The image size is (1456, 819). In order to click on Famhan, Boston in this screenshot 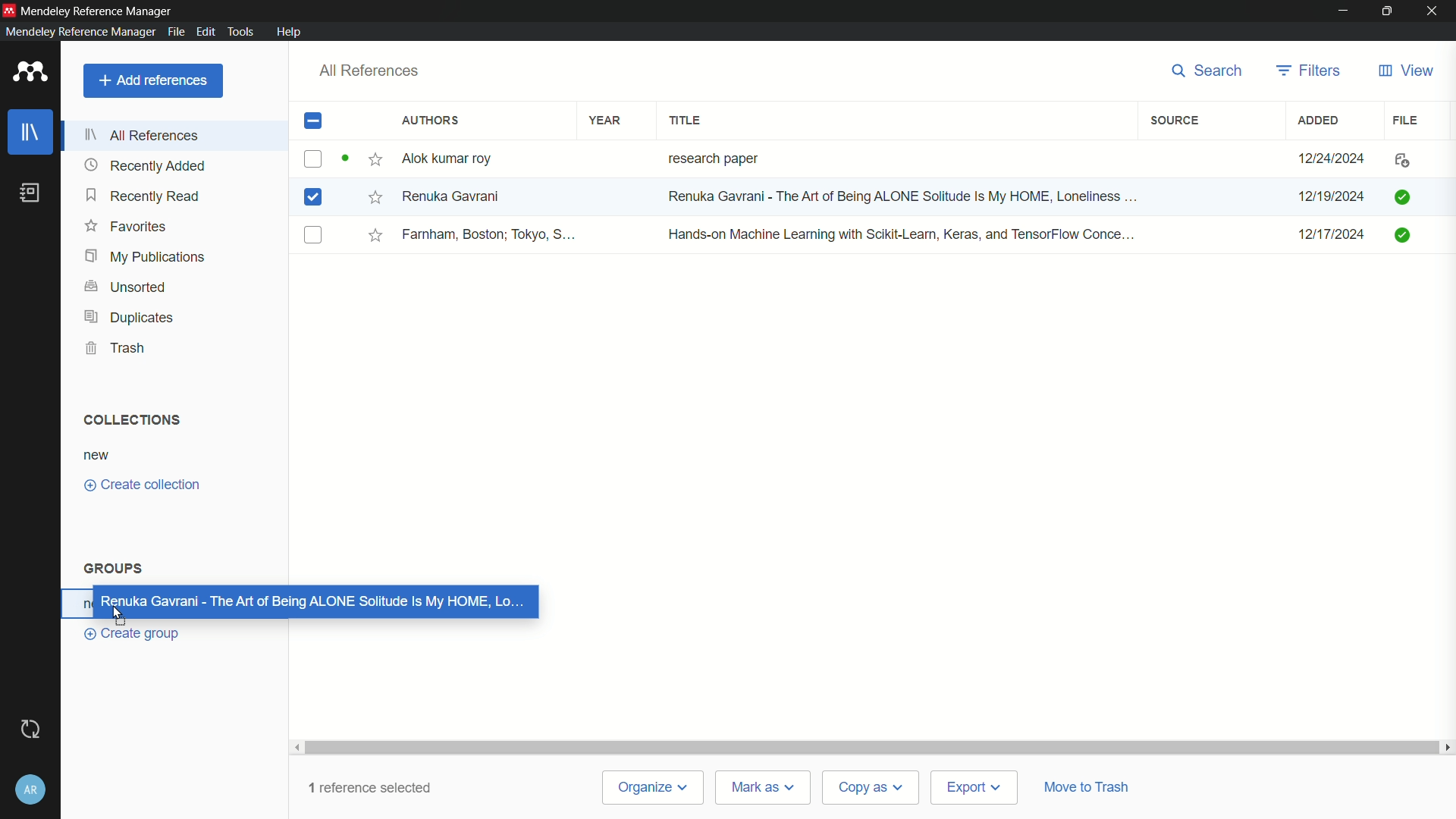, I will do `click(491, 237)`.